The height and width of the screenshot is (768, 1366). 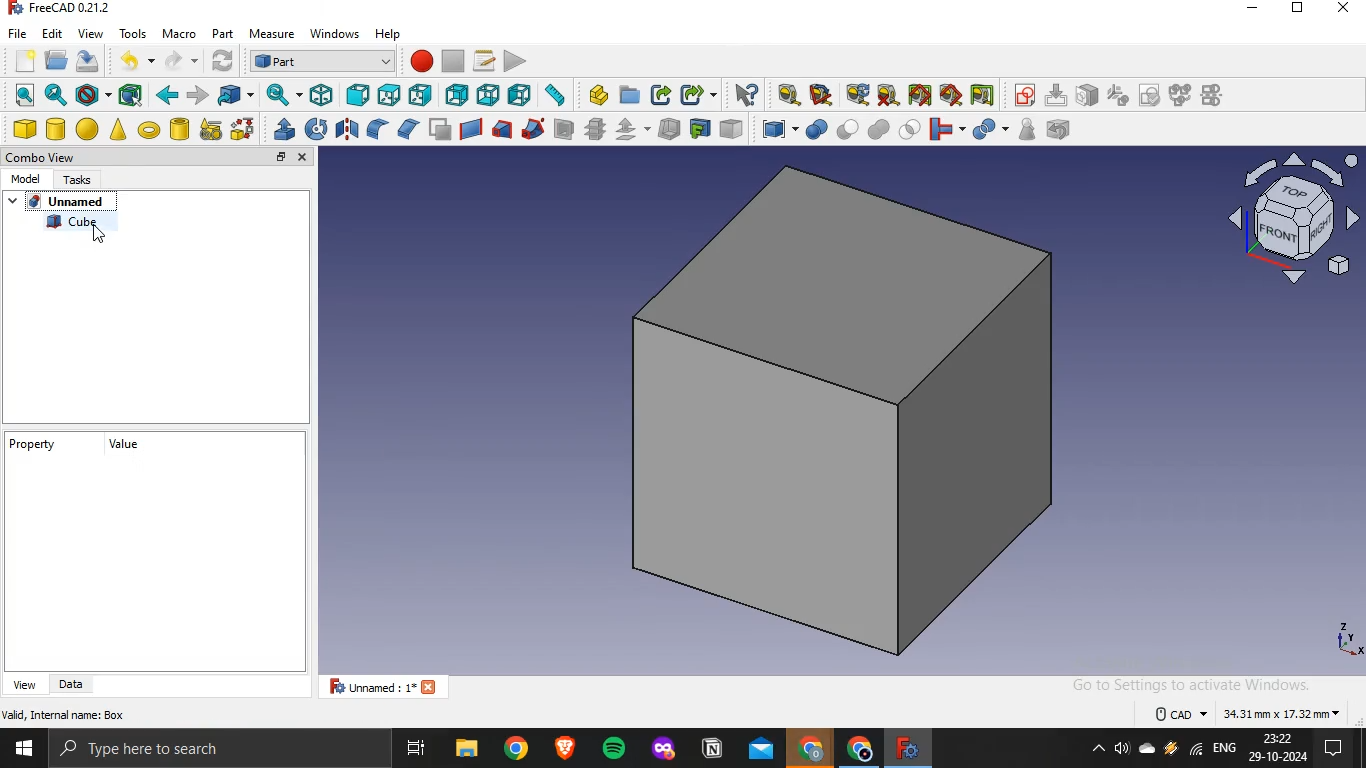 What do you see at coordinates (856, 750) in the screenshot?
I see `google chrome` at bounding box center [856, 750].